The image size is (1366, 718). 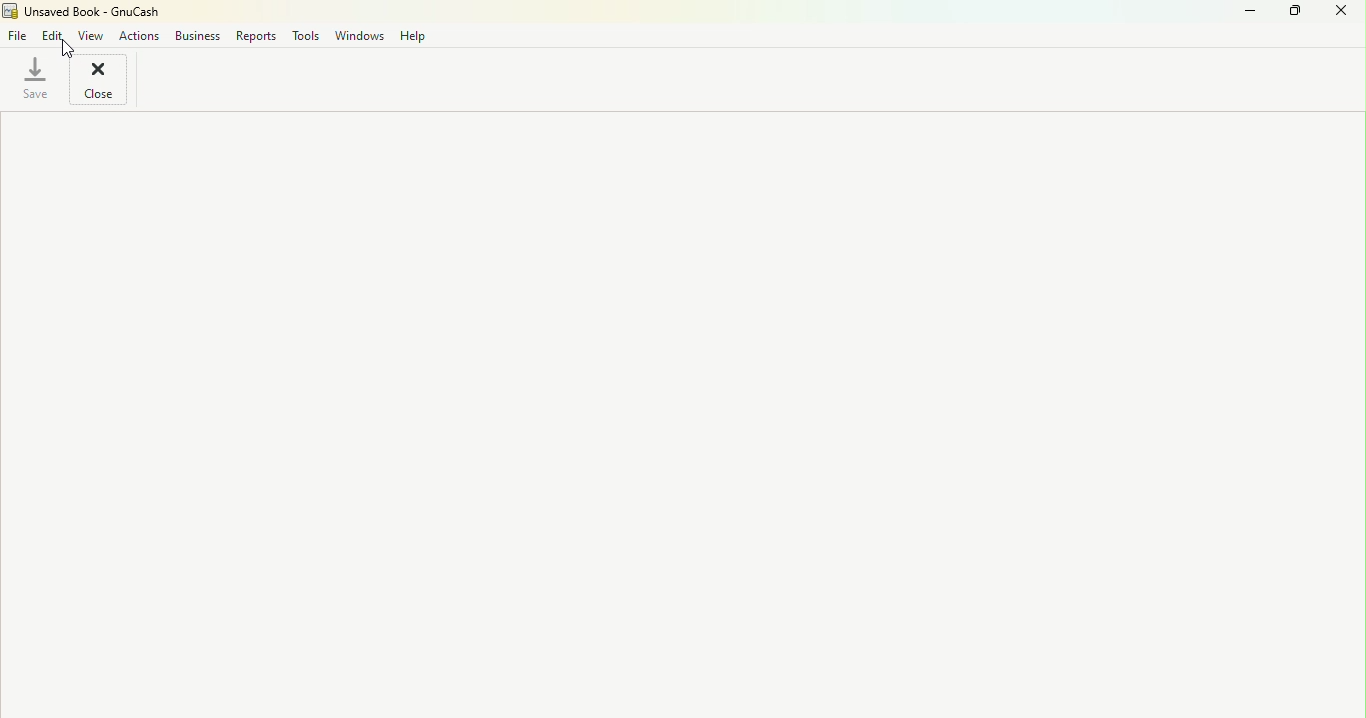 What do you see at coordinates (1295, 16) in the screenshot?
I see `Maximize` at bounding box center [1295, 16].